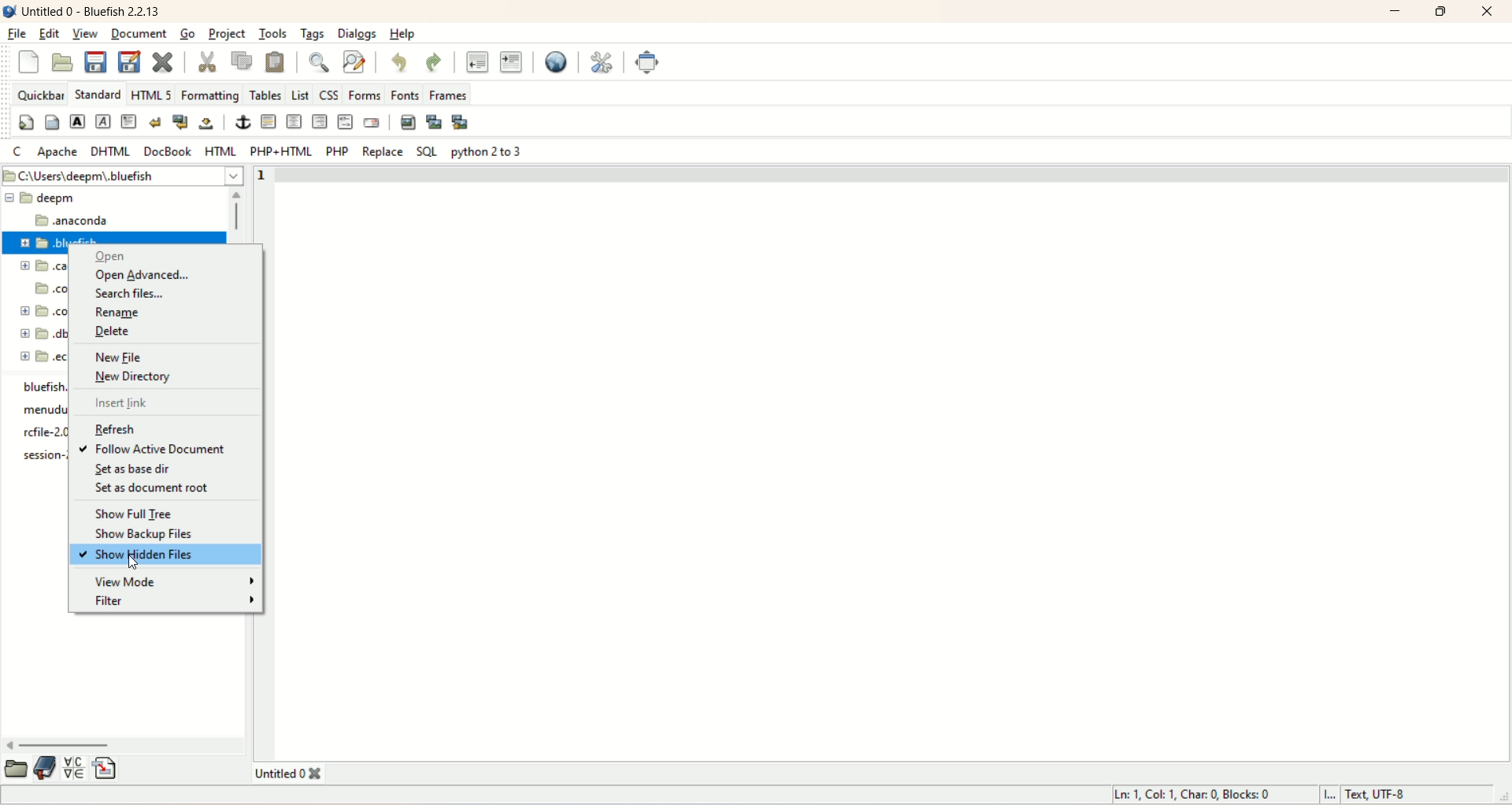 This screenshot has width=1512, height=805. Describe the element at coordinates (169, 151) in the screenshot. I see `DOCBOOK` at that location.